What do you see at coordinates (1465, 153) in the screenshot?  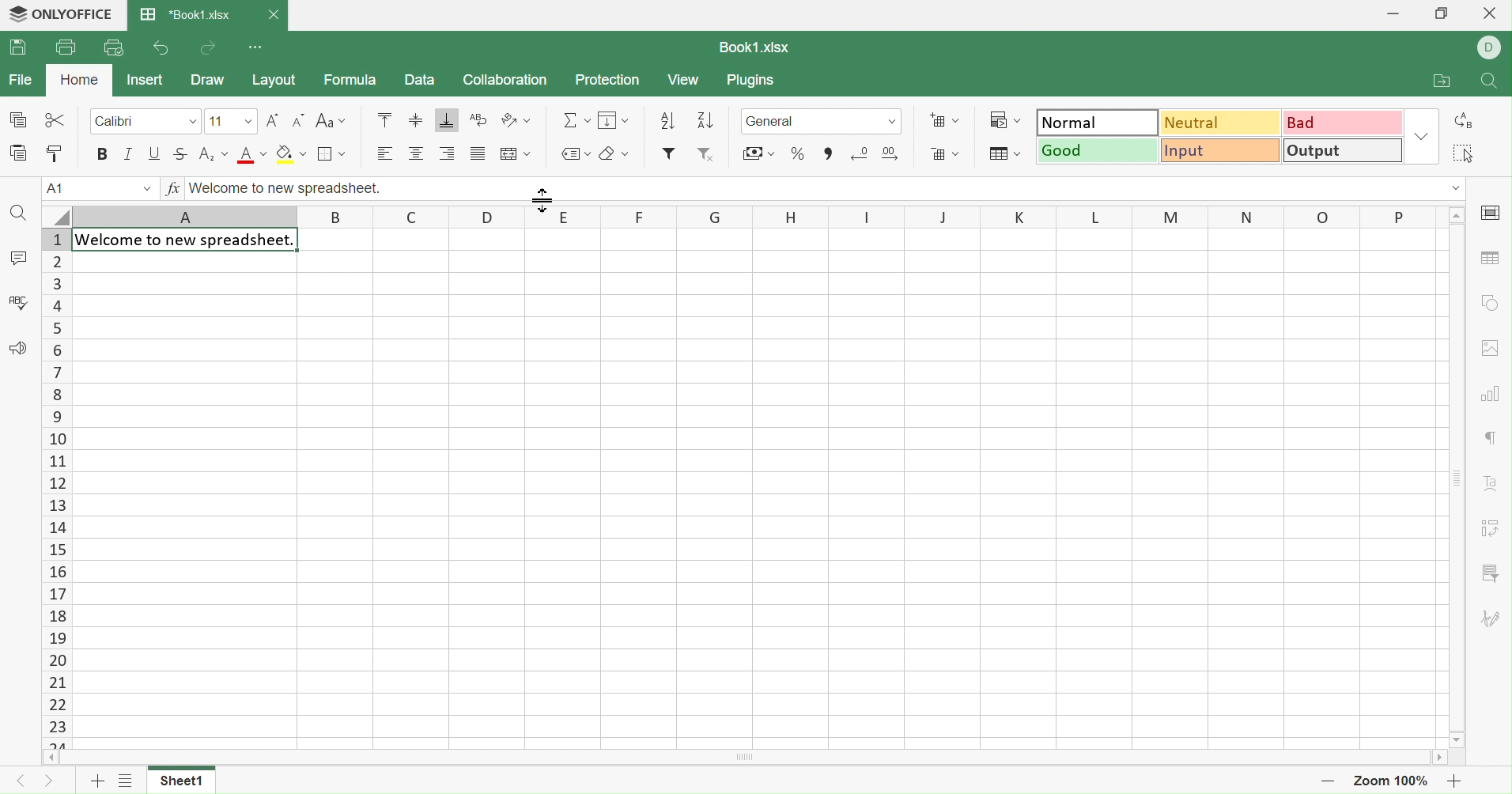 I see `Select all` at bounding box center [1465, 153].